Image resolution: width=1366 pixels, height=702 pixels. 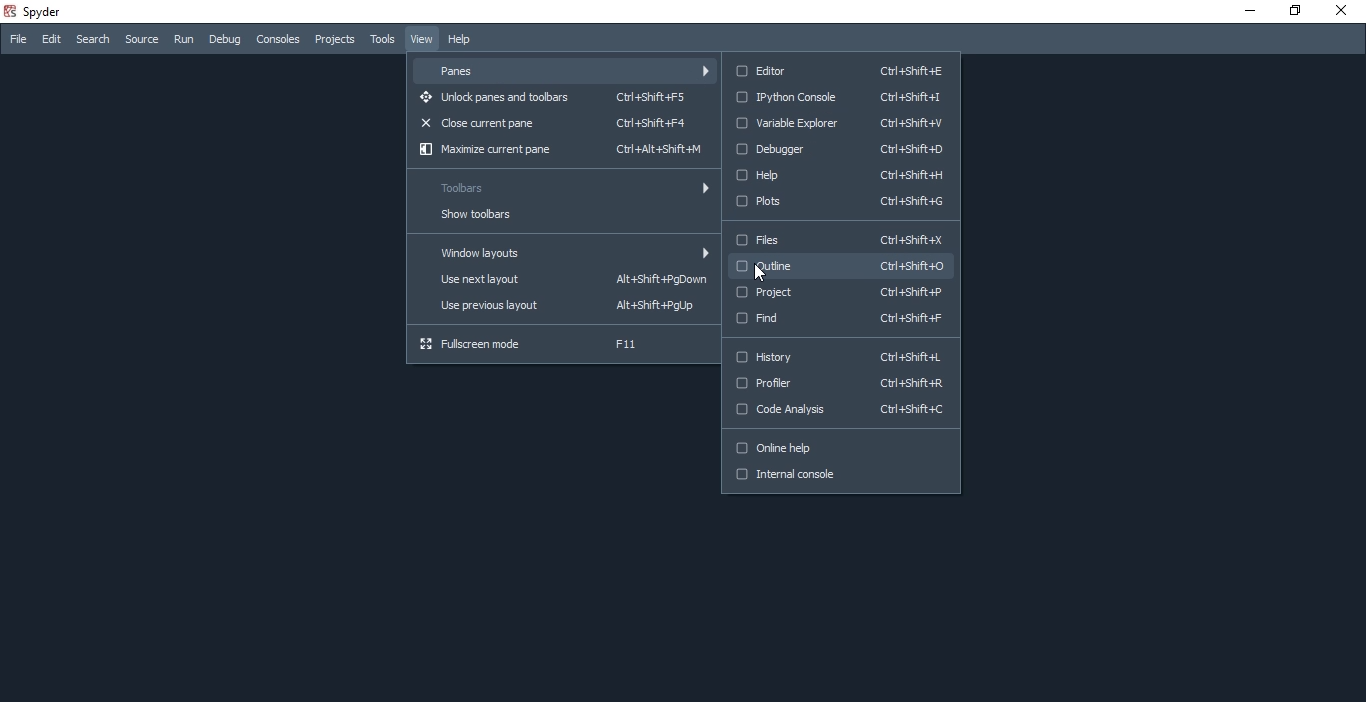 I want to click on Run, so click(x=181, y=41).